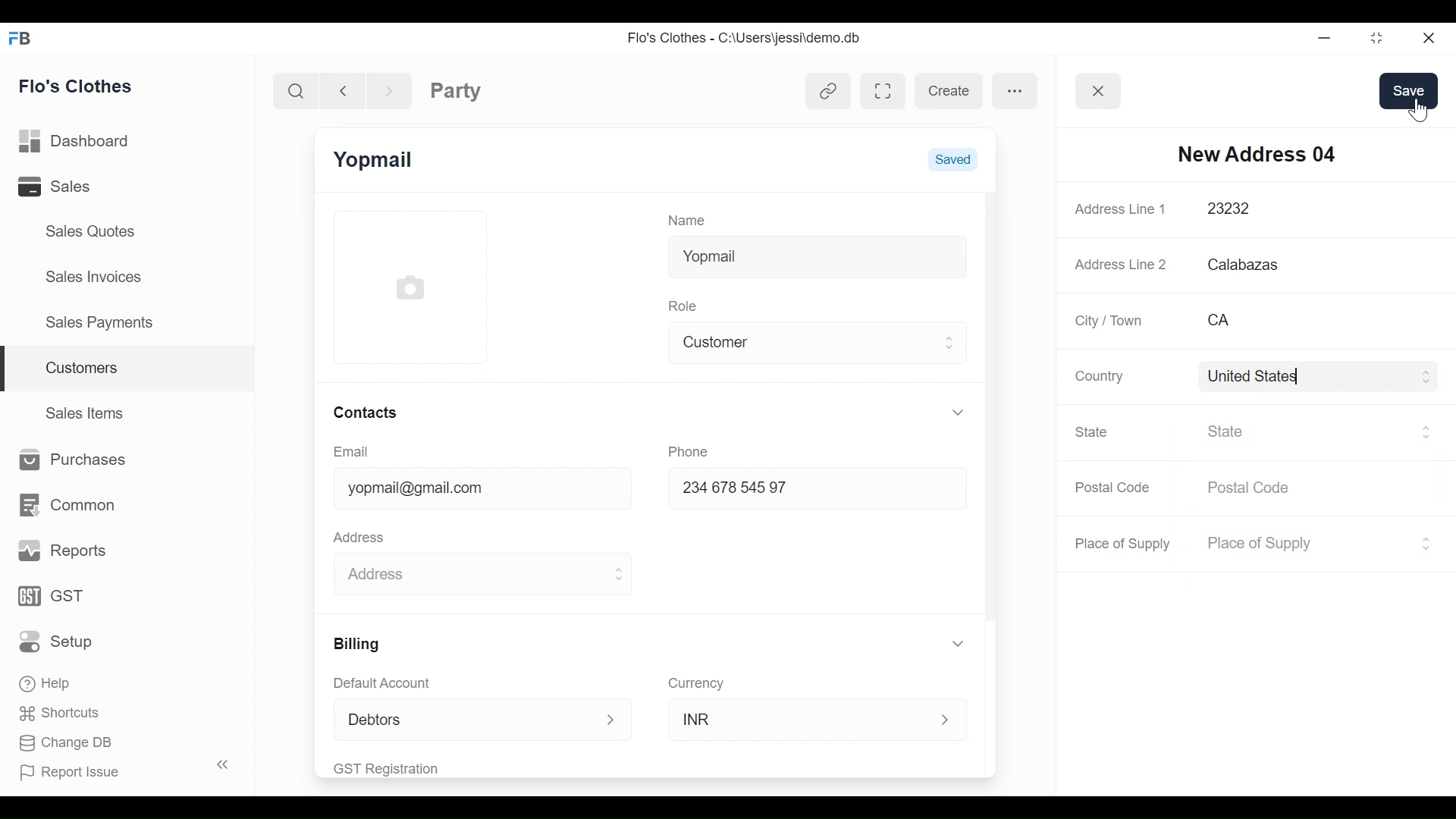  Describe the element at coordinates (413, 286) in the screenshot. I see `Profile Picture` at that location.